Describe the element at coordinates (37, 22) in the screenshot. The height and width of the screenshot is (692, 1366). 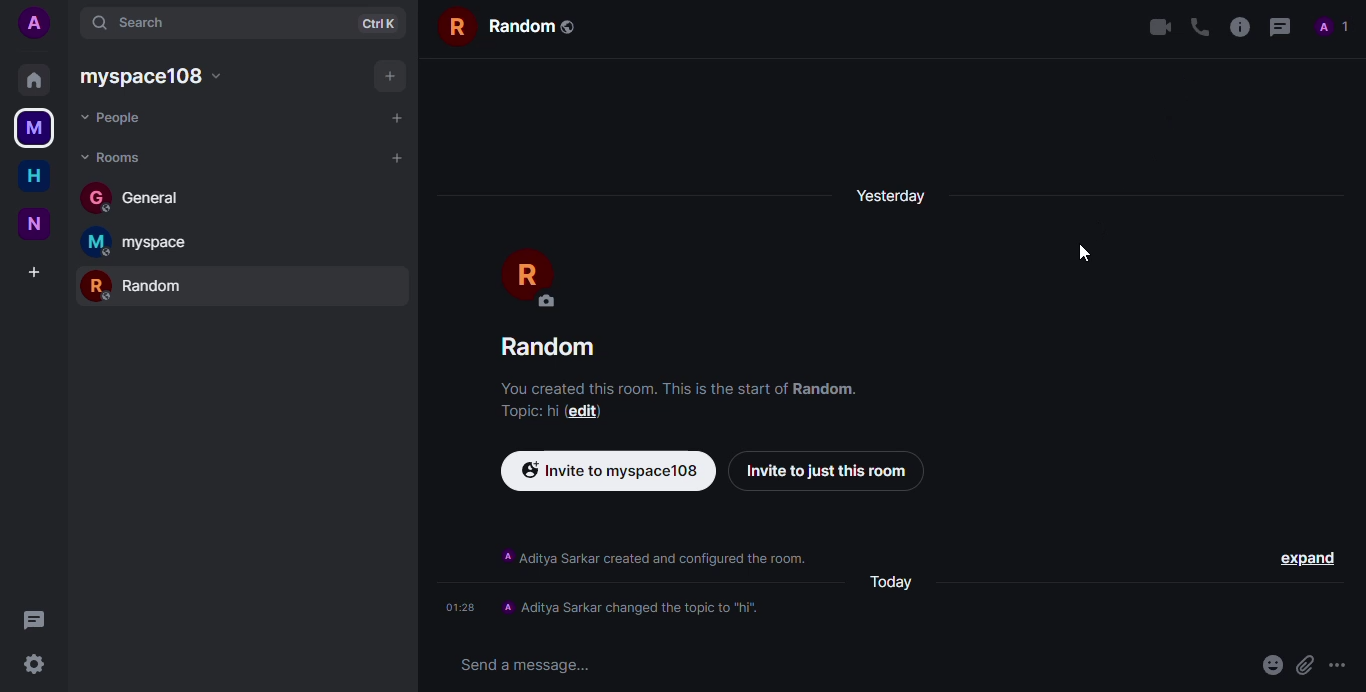
I see `add profile picture` at that location.